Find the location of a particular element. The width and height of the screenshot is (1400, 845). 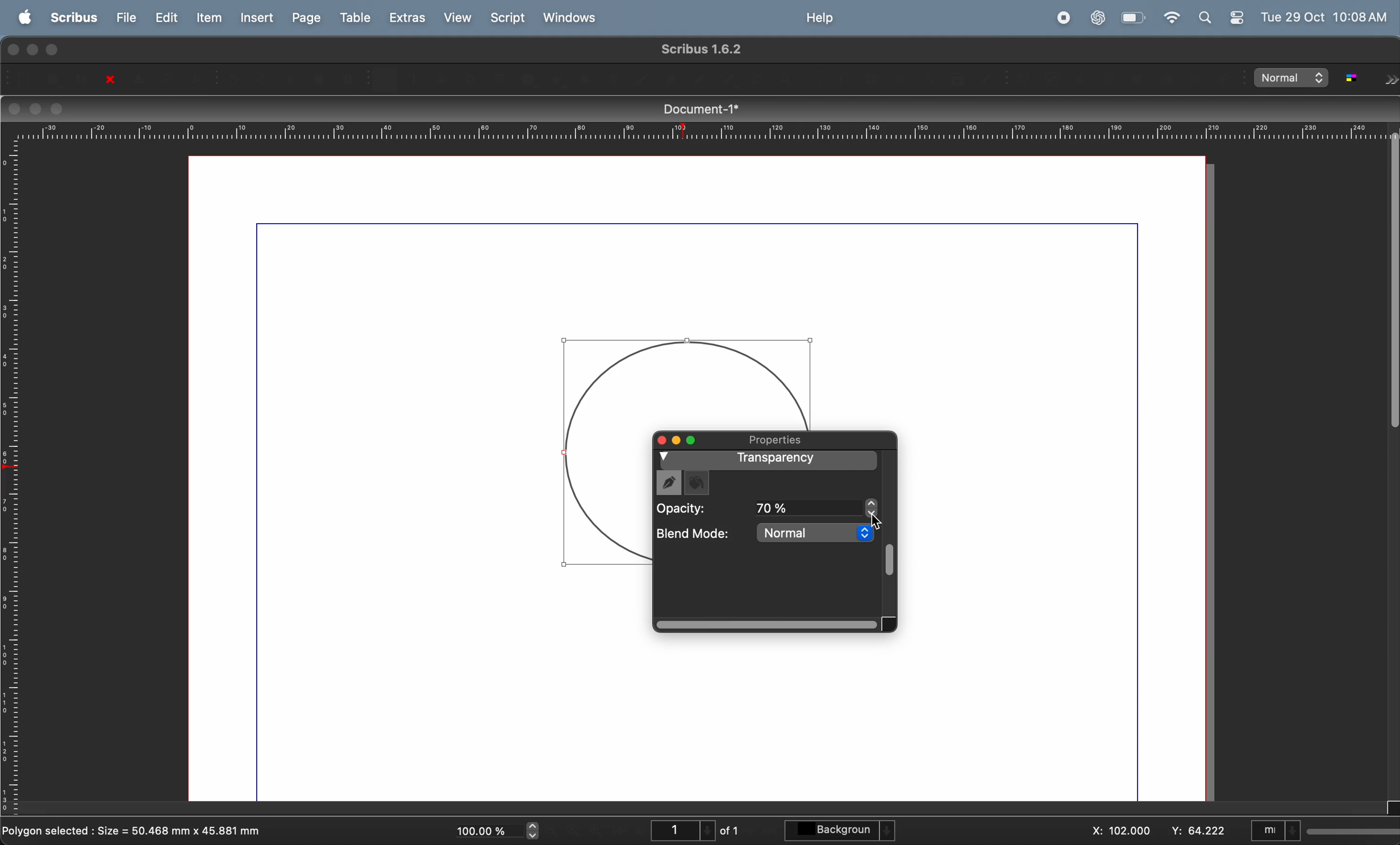

windows is located at coordinates (574, 18).